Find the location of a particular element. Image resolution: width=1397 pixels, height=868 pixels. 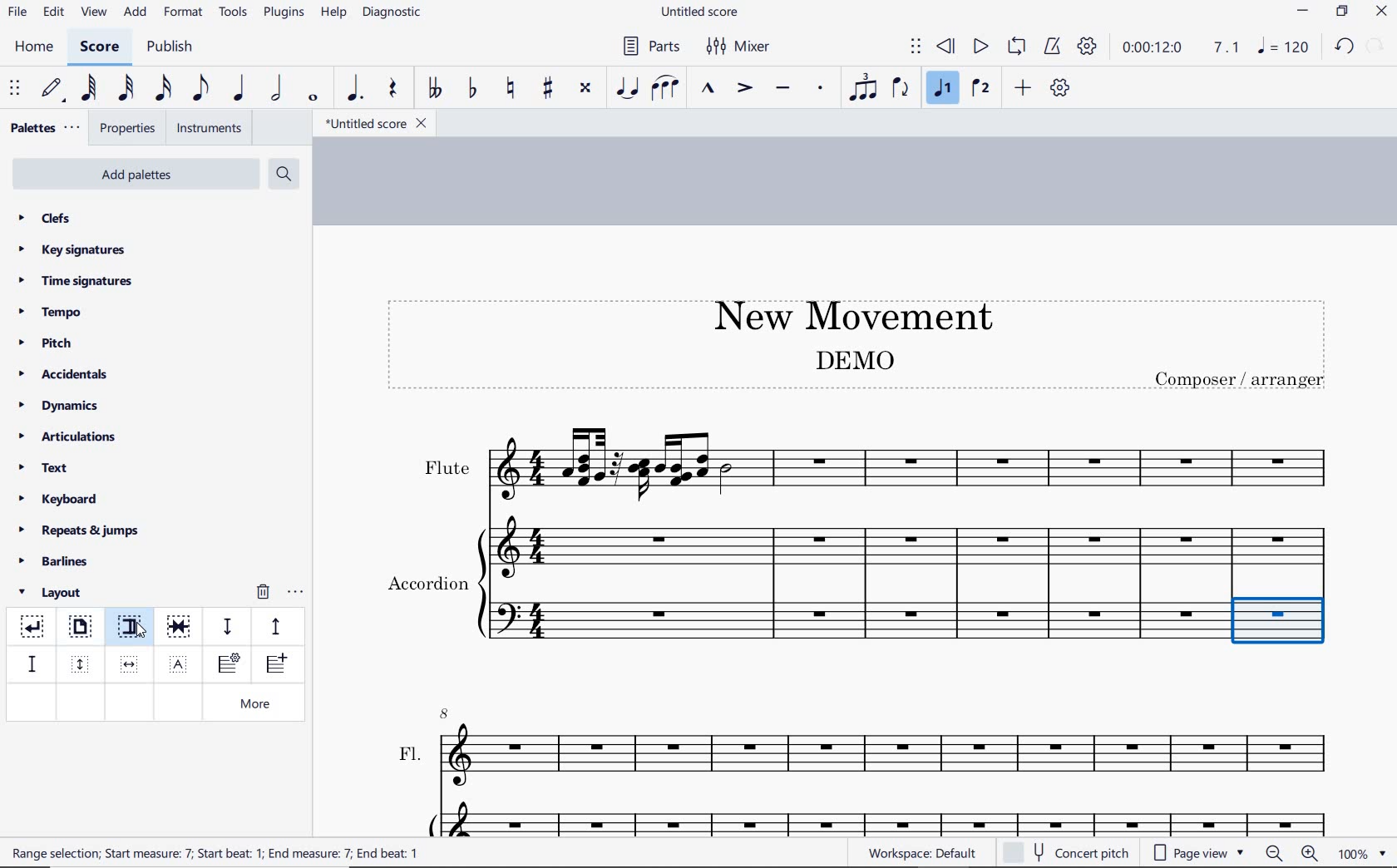

properties is located at coordinates (129, 130).